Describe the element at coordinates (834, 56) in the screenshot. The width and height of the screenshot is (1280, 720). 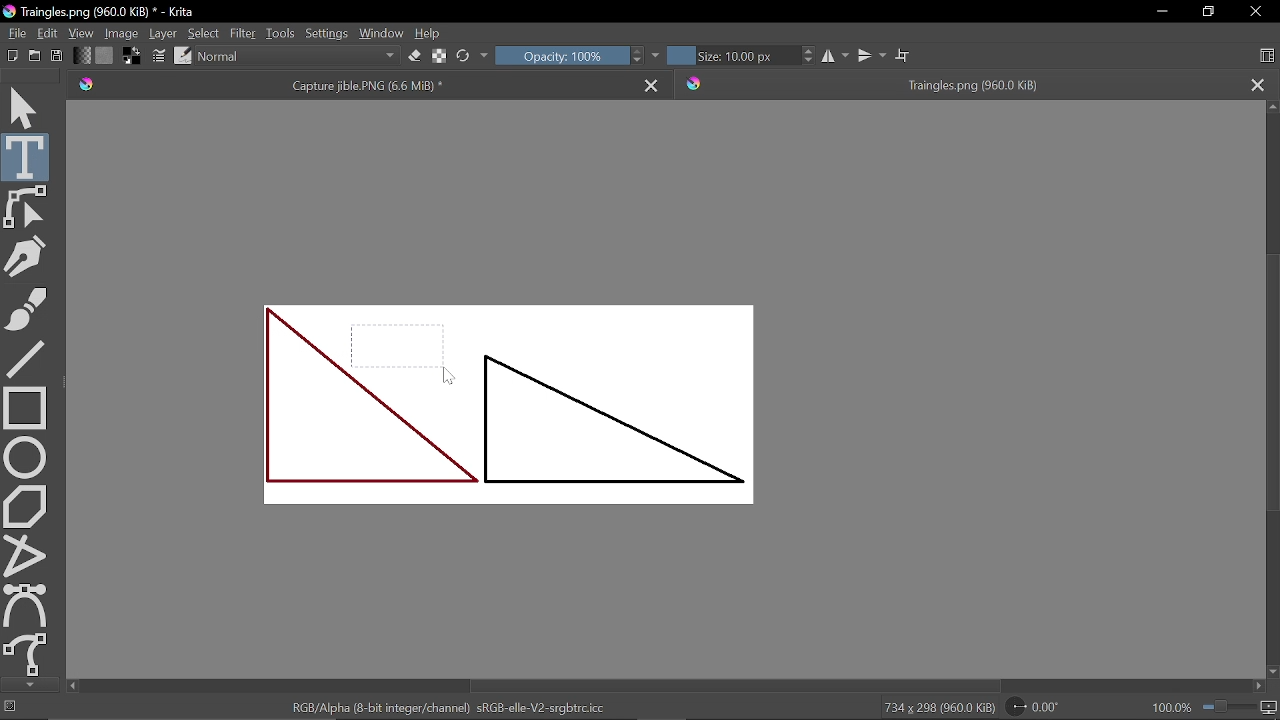
I see `Horizontal mirror tool` at that location.